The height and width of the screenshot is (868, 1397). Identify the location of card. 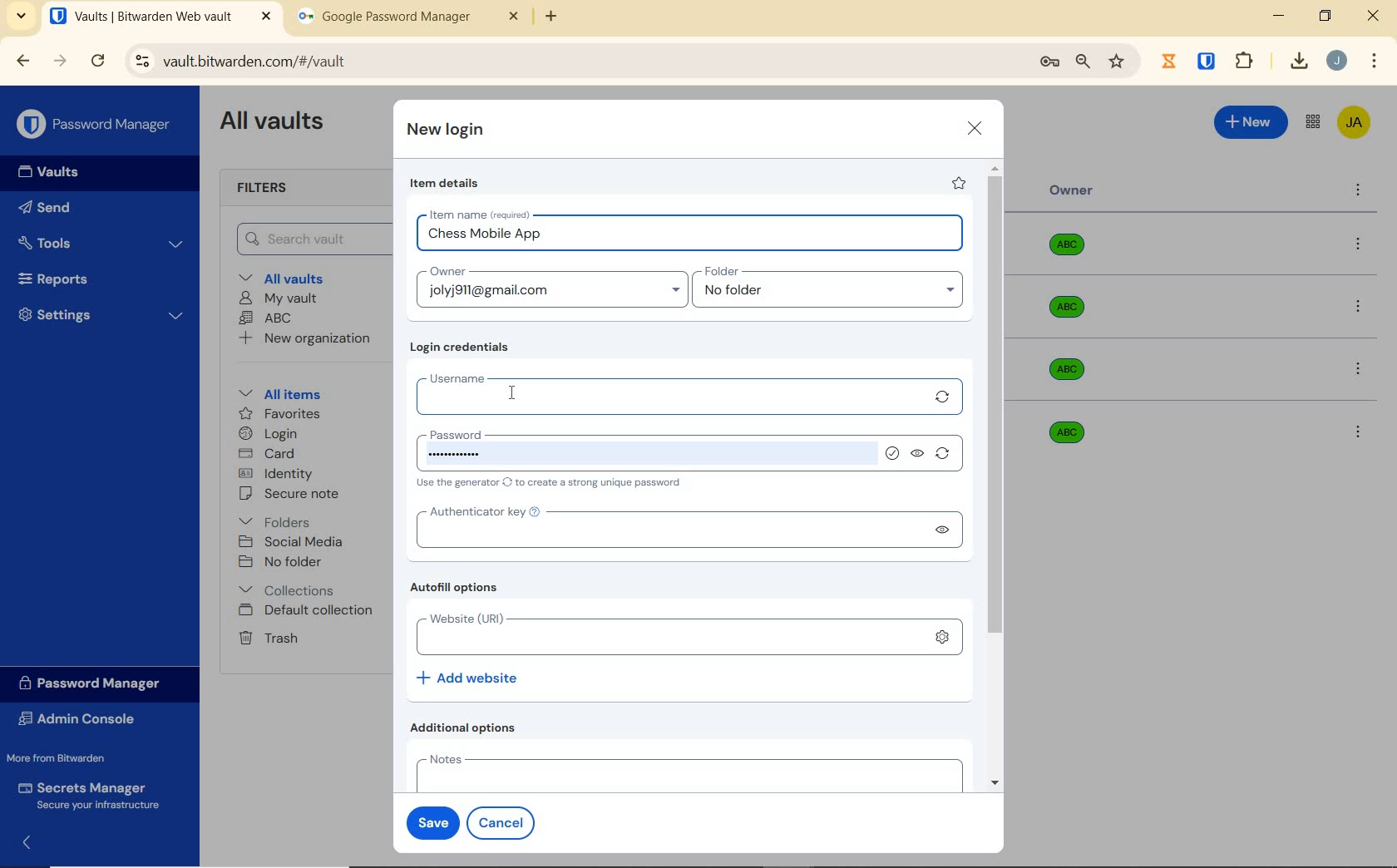
(266, 455).